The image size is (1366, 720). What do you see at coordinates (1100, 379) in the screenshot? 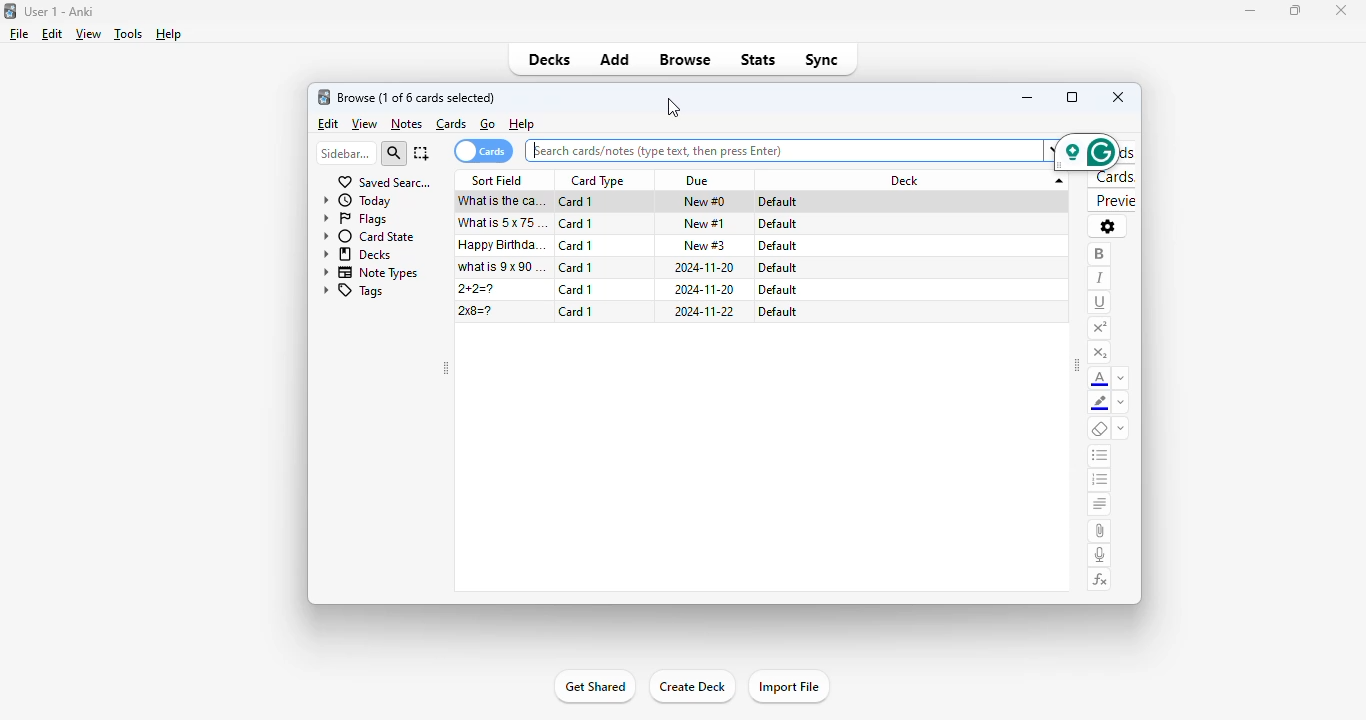
I see `text color` at bounding box center [1100, 379].